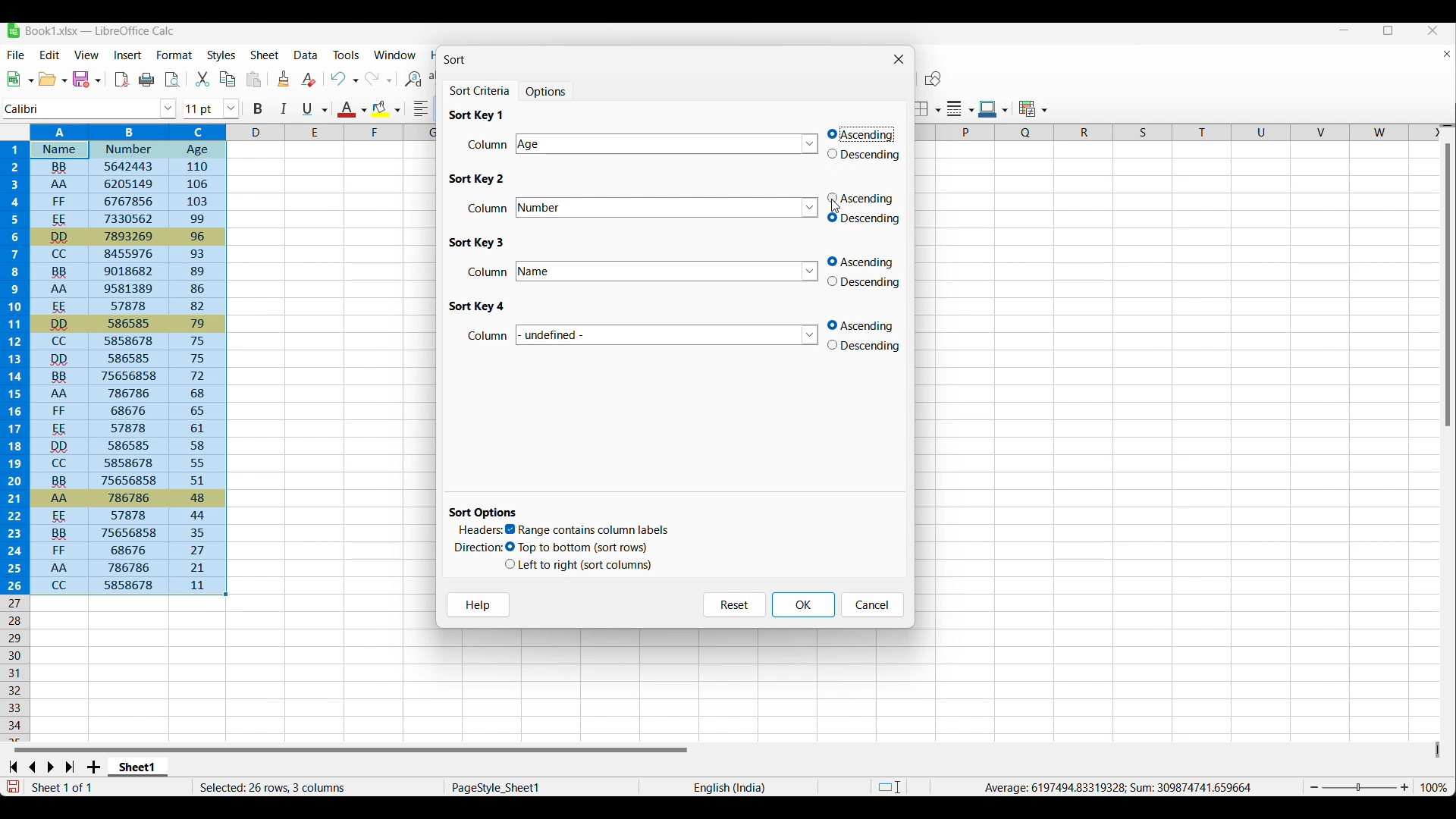 Image resolution: width=1456 pixels, height=819 pixels. I want to click on Sort 1, so click(476, 115).